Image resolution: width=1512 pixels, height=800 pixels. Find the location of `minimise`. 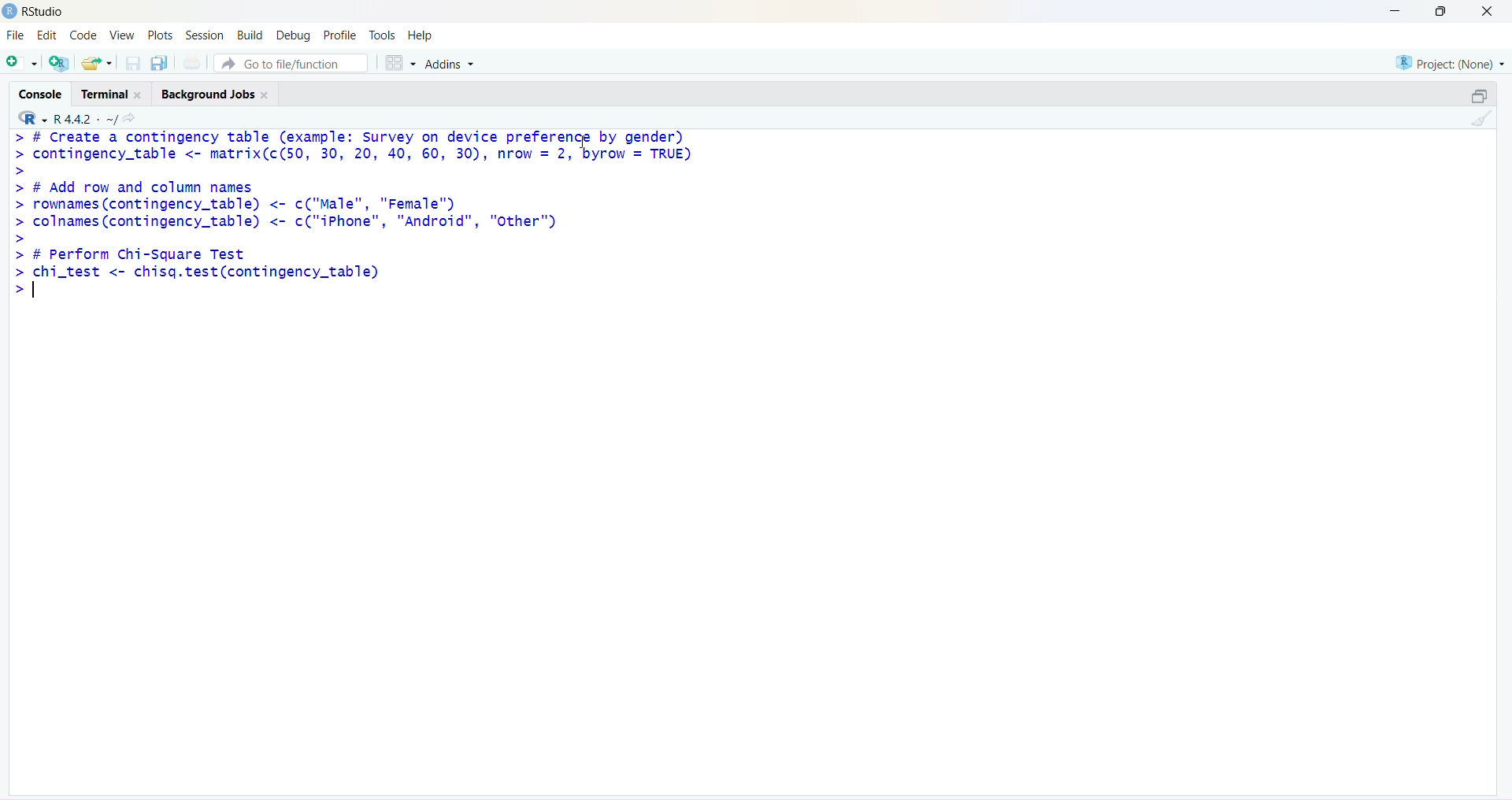

minimise is located at coordinates (1398, 9).